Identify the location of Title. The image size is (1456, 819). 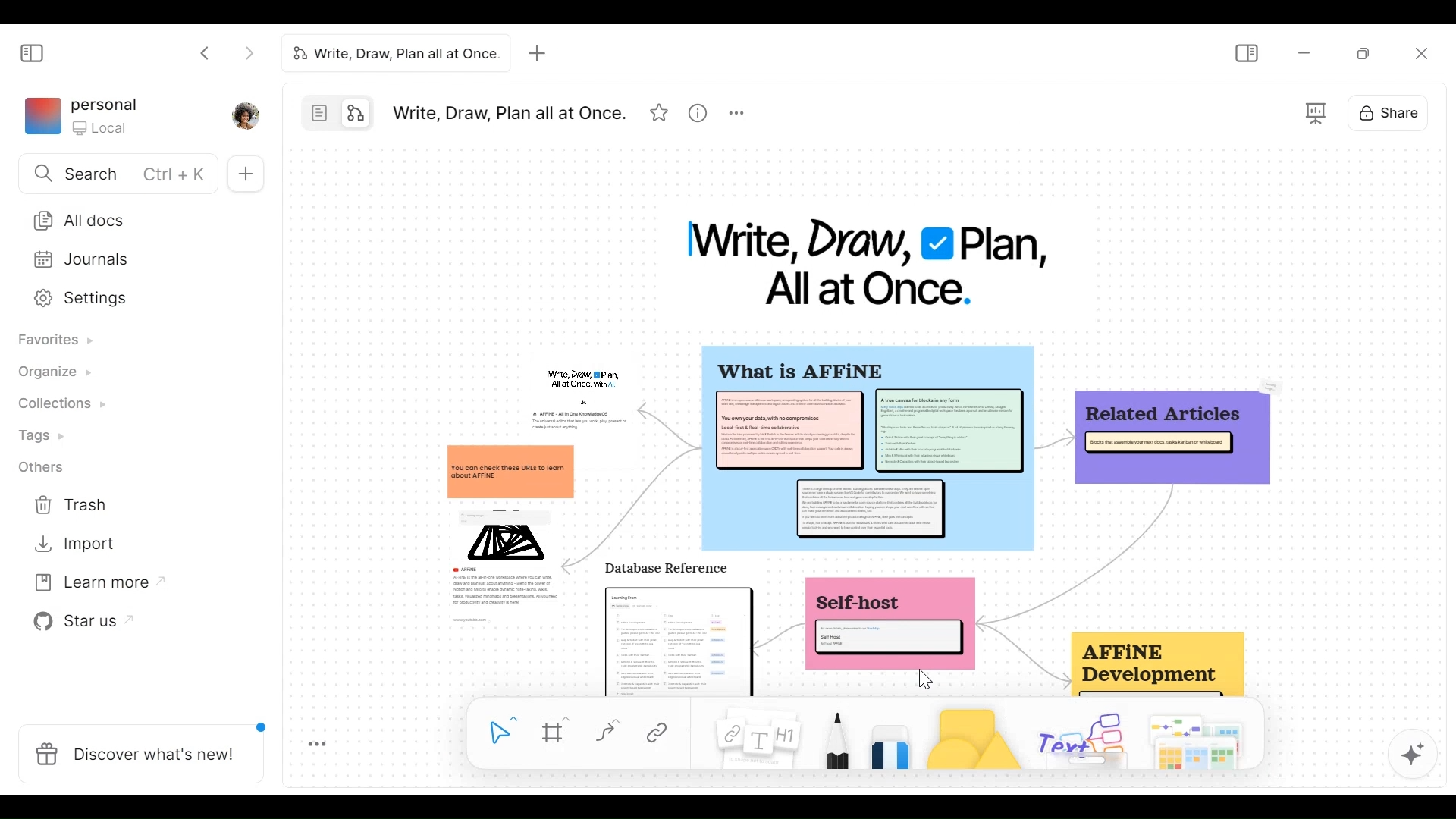
(392, 52).